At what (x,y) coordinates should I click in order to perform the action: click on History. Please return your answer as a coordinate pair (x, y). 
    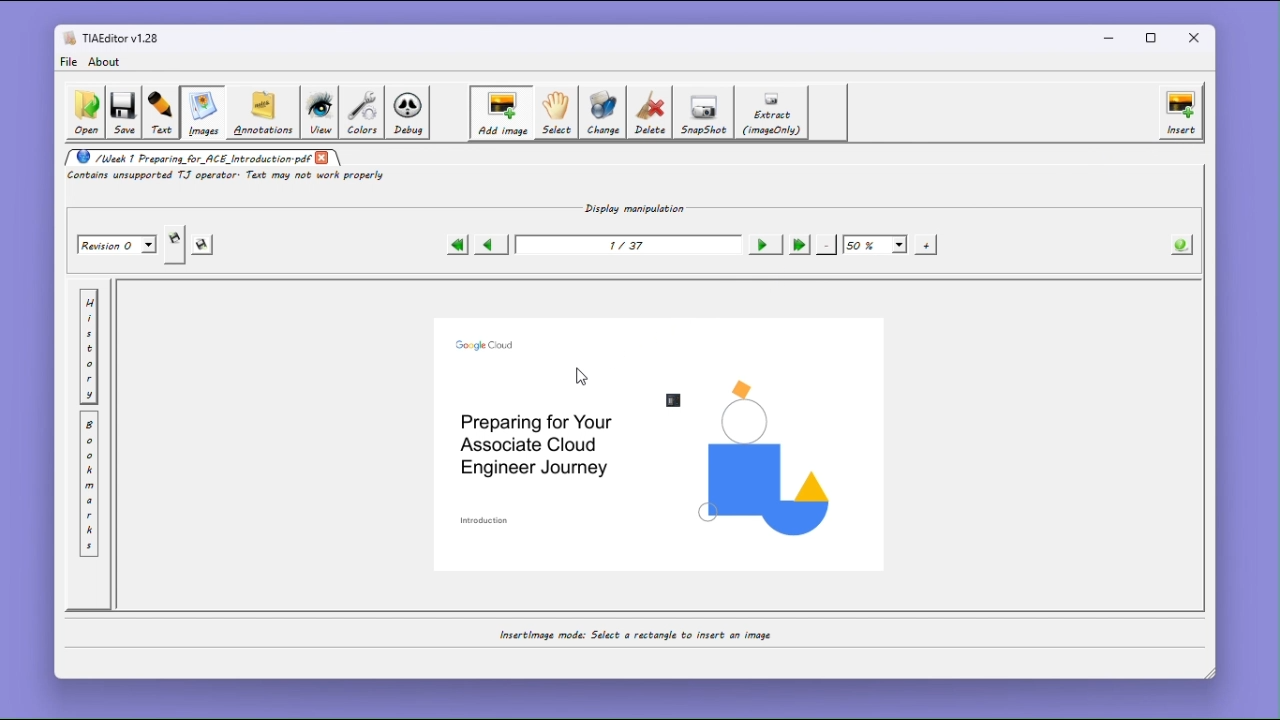
    Looking at the image, I should click on (89, 347).